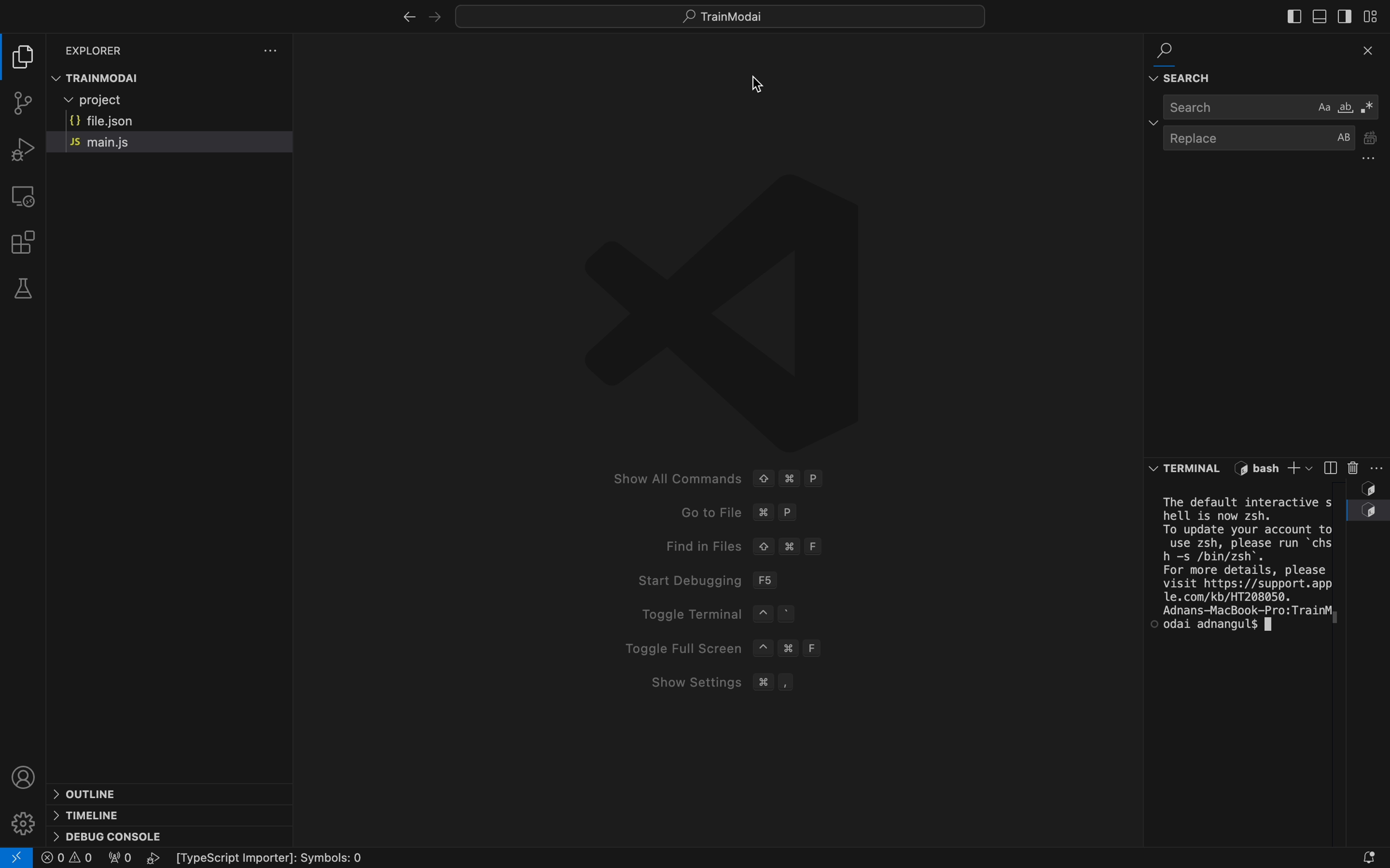 The height and width of the screenshot is (868, 1390). Describe the element at coordinates (144, 101) in the screenshot. I see `project` at that location.